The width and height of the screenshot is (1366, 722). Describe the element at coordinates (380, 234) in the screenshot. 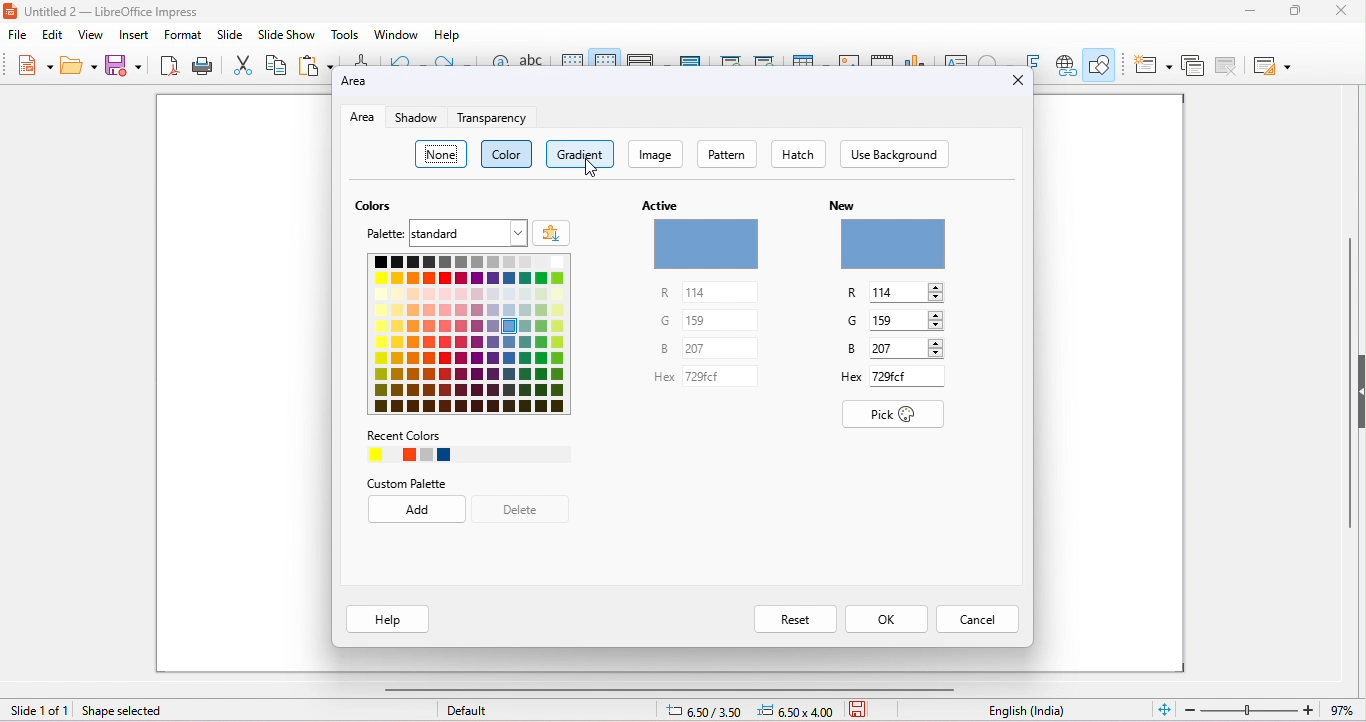

I see `palette` at that location.